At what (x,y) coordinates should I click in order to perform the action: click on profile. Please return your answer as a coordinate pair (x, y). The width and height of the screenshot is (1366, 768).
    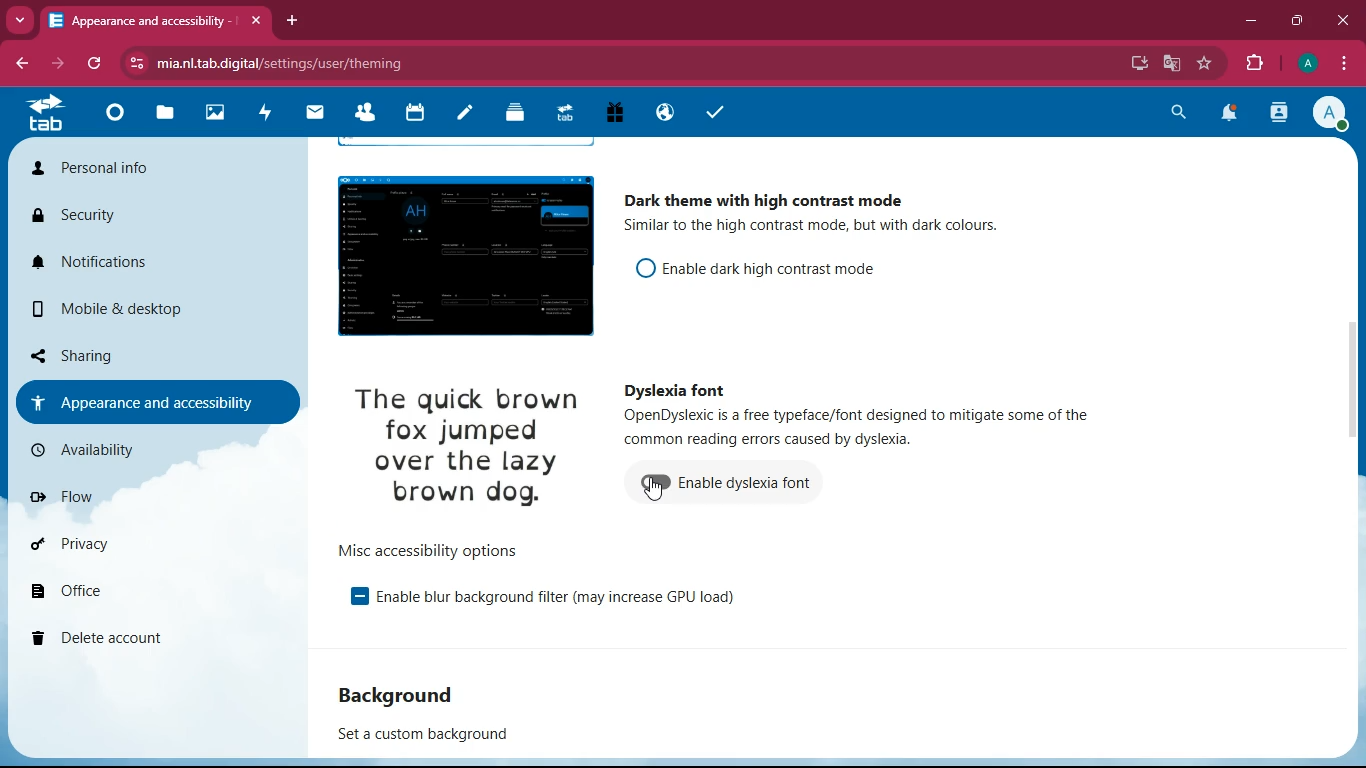
    Looking at the image, I should click on (1333, 114).